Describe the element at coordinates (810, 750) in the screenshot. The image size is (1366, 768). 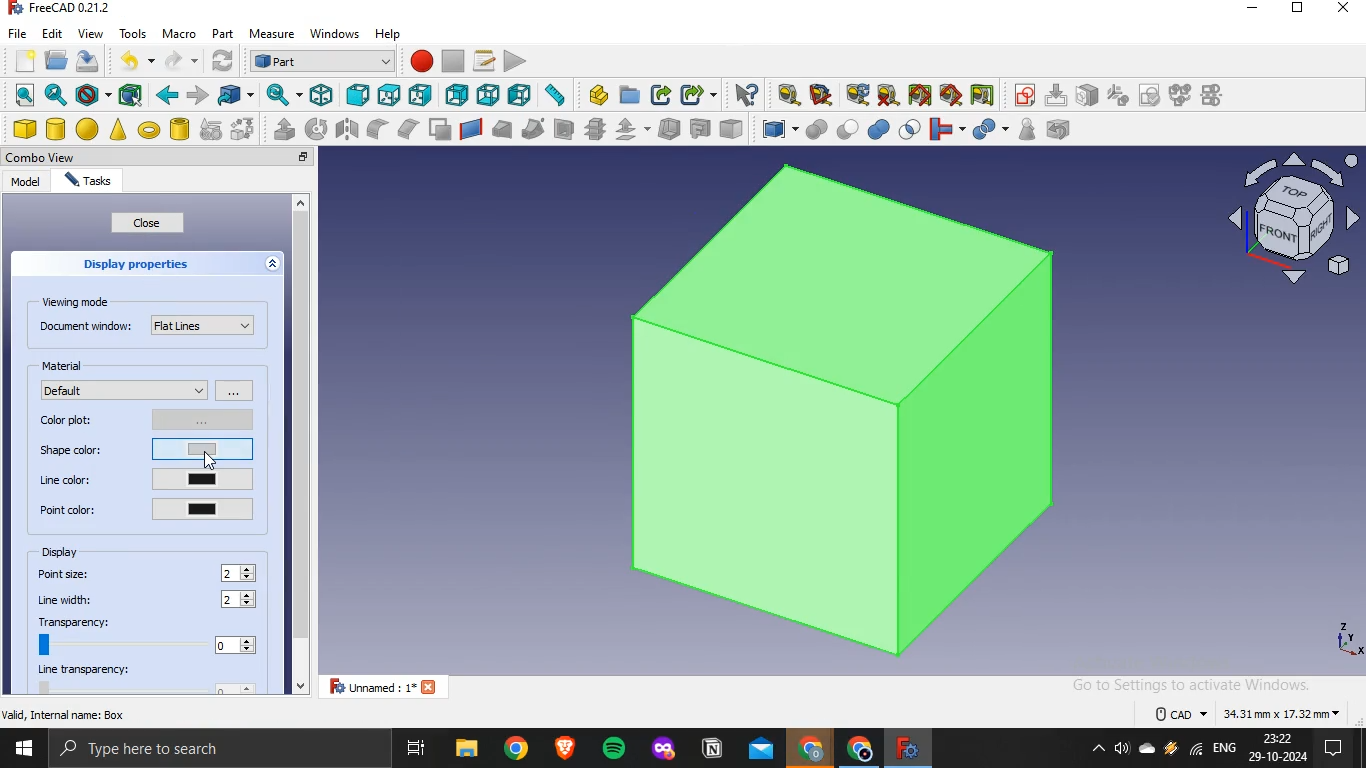
I see `google chrome` at that location.